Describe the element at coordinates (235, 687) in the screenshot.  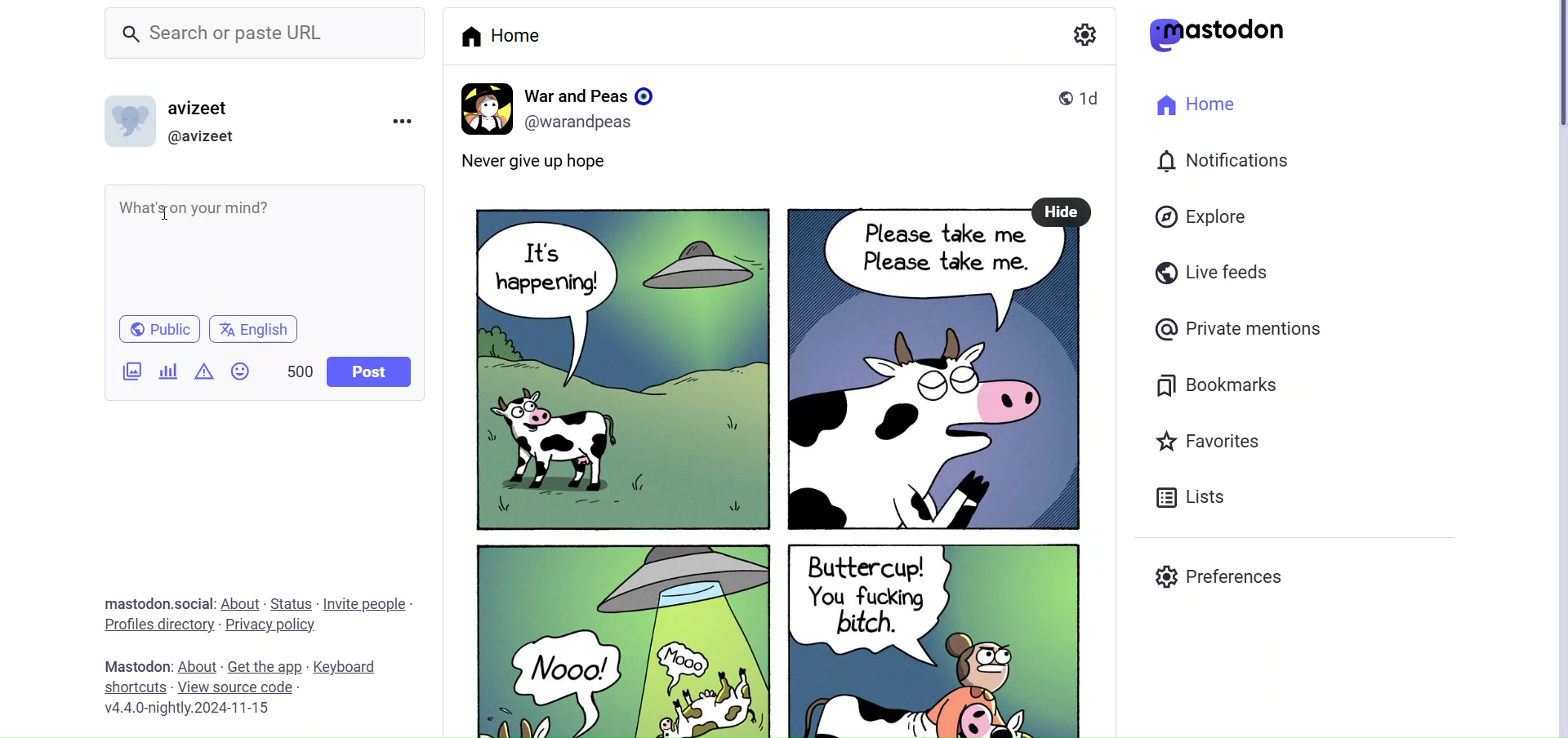
I see `View Source Code` at that location.